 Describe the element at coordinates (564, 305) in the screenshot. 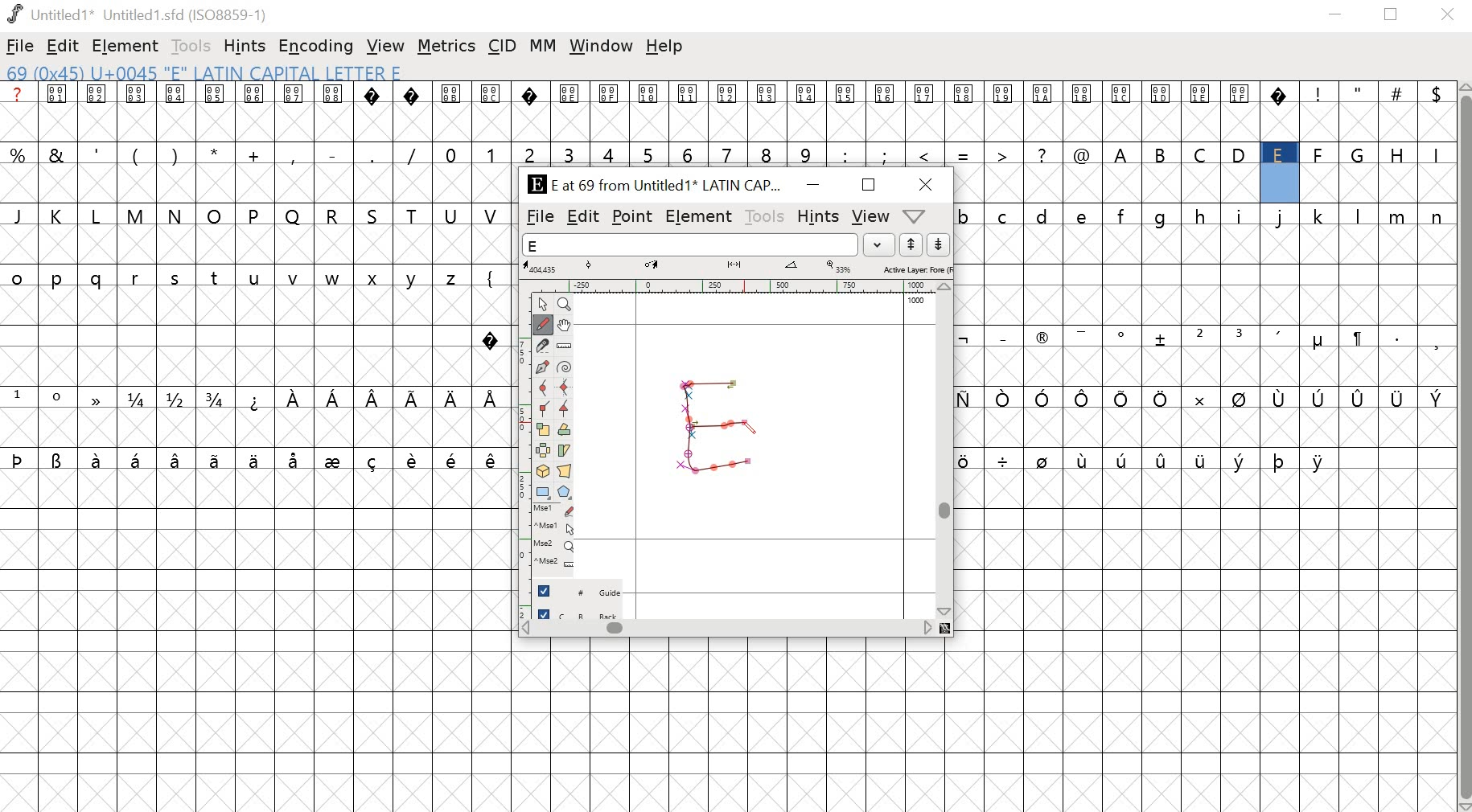

I see `Zoom` at that location.